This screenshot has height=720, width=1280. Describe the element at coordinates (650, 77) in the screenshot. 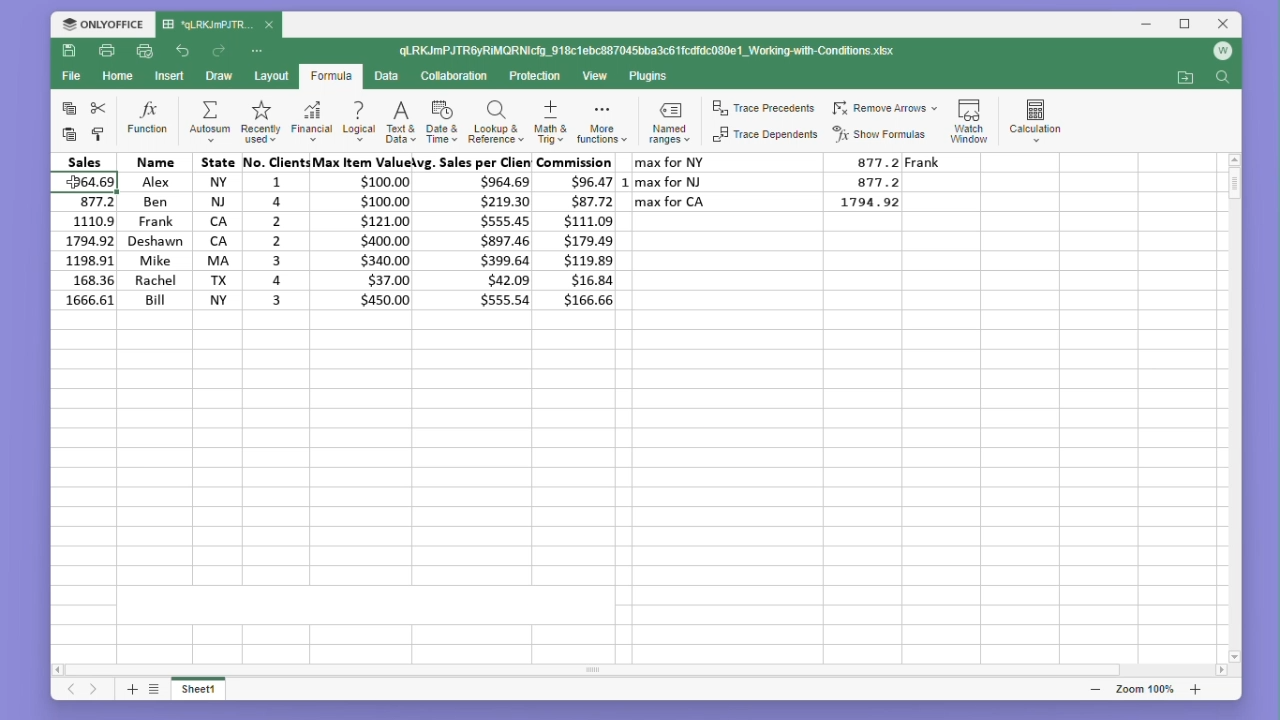

I see `Plugins` at that location.